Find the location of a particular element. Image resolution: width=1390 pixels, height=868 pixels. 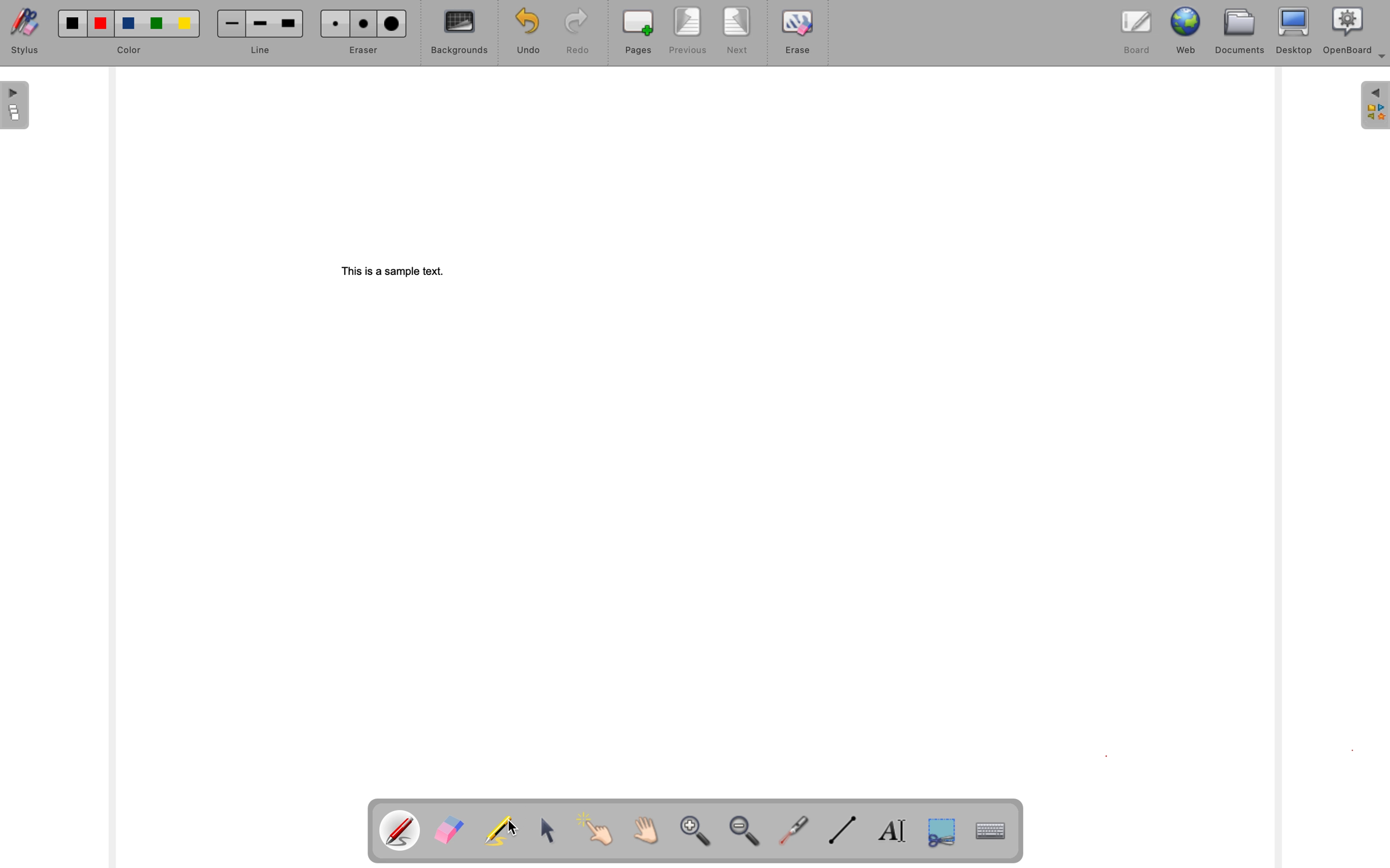

Color 3 is located at coordinates (129, 24).